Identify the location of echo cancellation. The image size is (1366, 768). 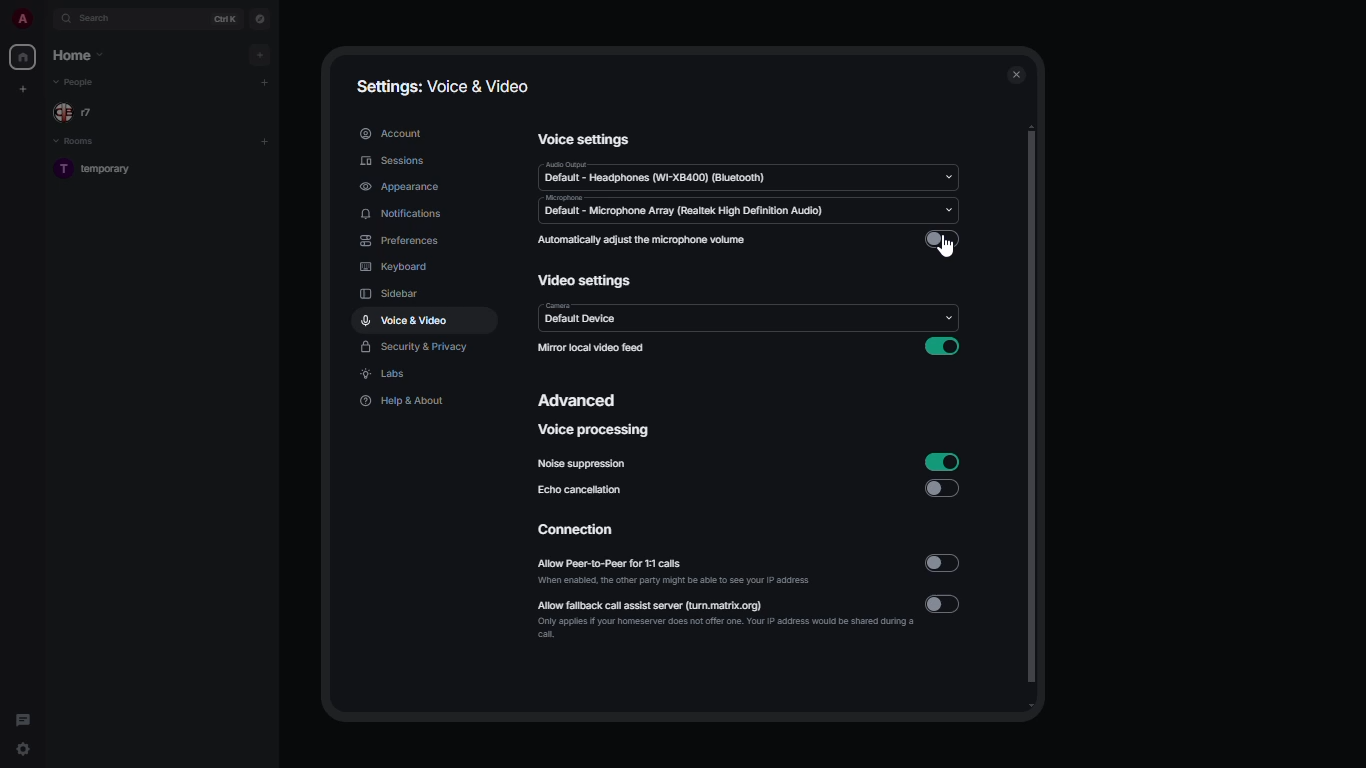
(582, 492).